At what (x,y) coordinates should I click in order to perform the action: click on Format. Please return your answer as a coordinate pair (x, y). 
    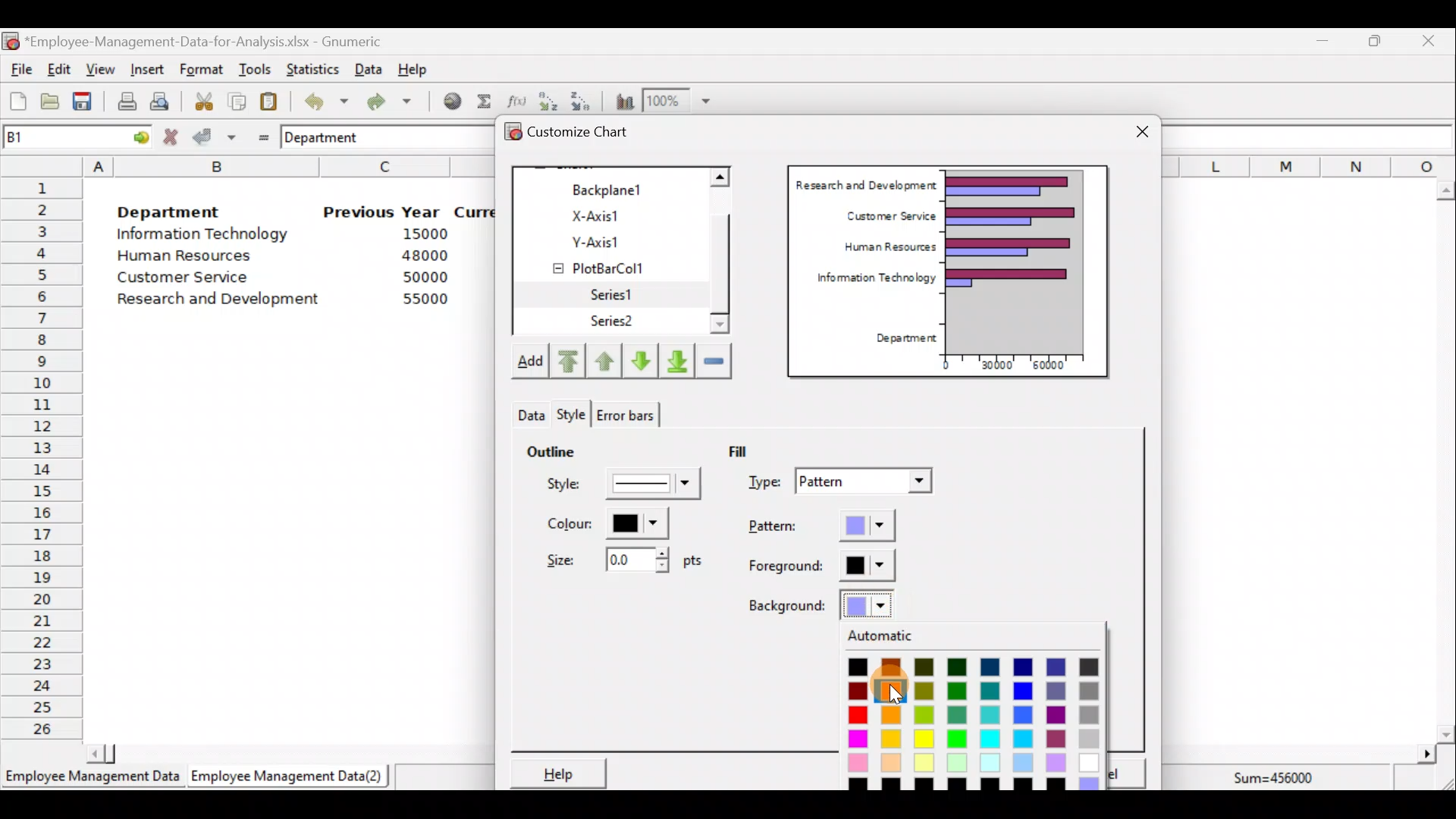
    Looking at the image, I should click on (201, 71).